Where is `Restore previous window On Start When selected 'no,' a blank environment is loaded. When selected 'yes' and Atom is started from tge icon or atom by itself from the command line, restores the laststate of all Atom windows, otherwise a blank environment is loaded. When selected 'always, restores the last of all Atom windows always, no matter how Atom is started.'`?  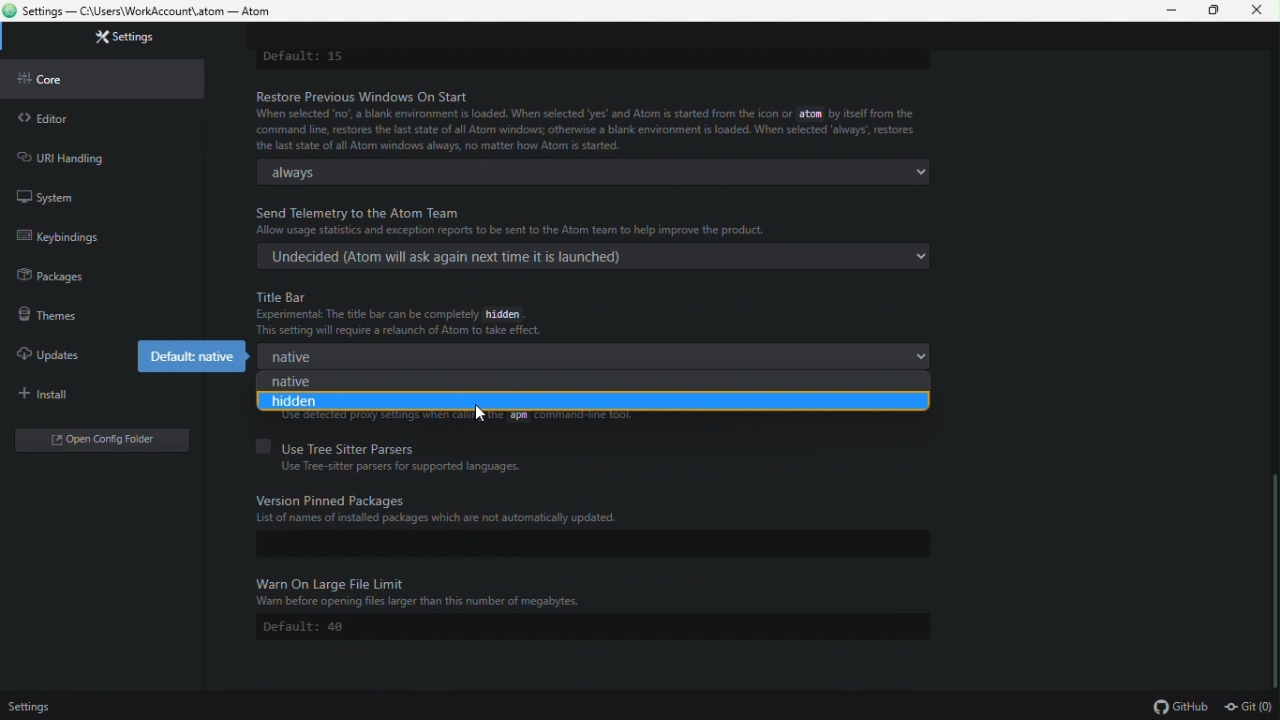 Restore previous window On Start When selected 'no,' a blank environment is loaded. When selected 'yes' and Atom is started from tge icon or atom by itself from the command line, restores the laststate of all Atom windows, otherwise a blank environment is loaded. When selected 'always, restores the last of all Atom windows always, no matter how Atom is started.' is located at coordinates (594, 120).